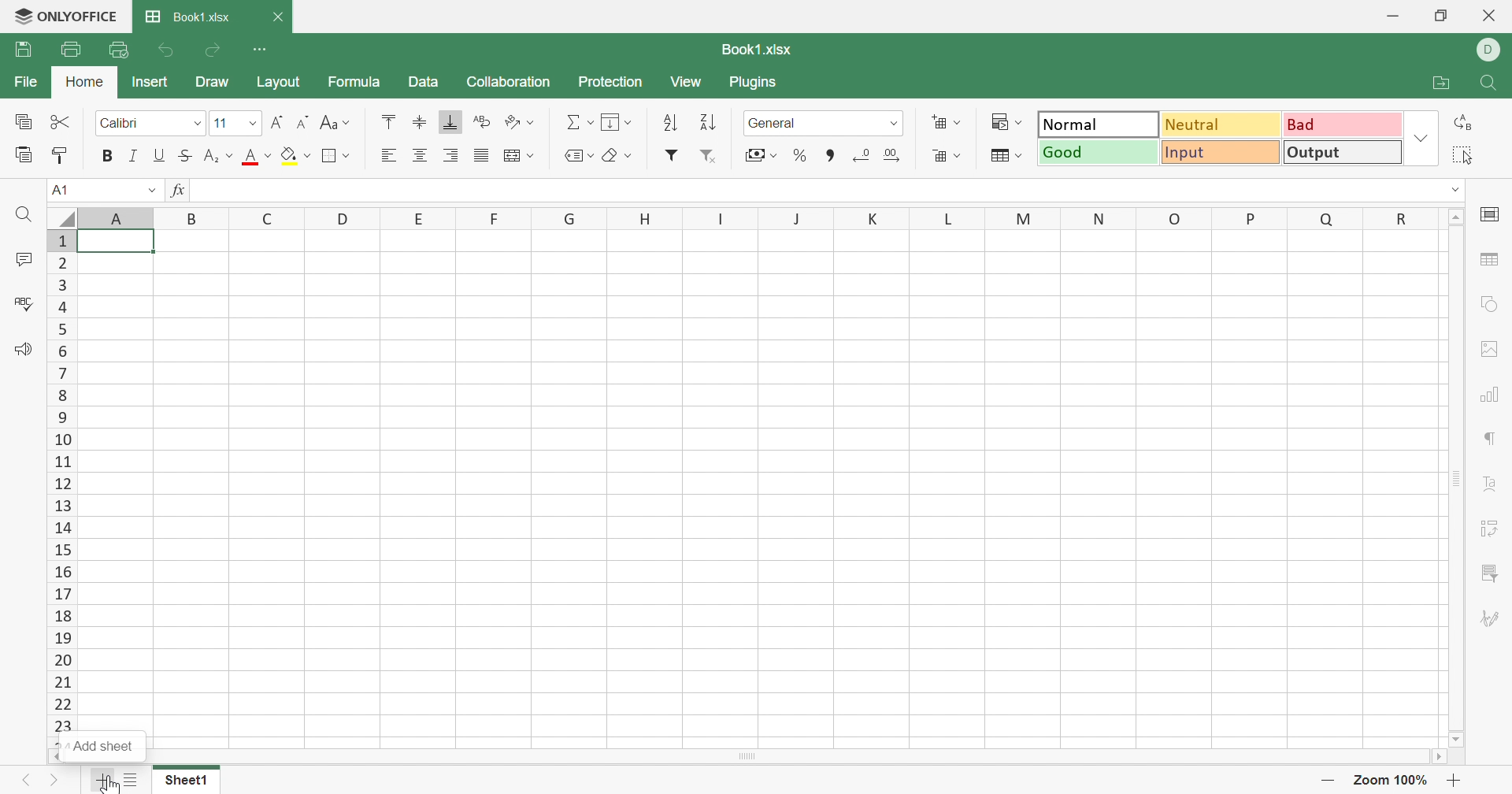  What do you see at coordinates (340, 218) in the screenshot?
I see `D` at bounding box center [340, 218].